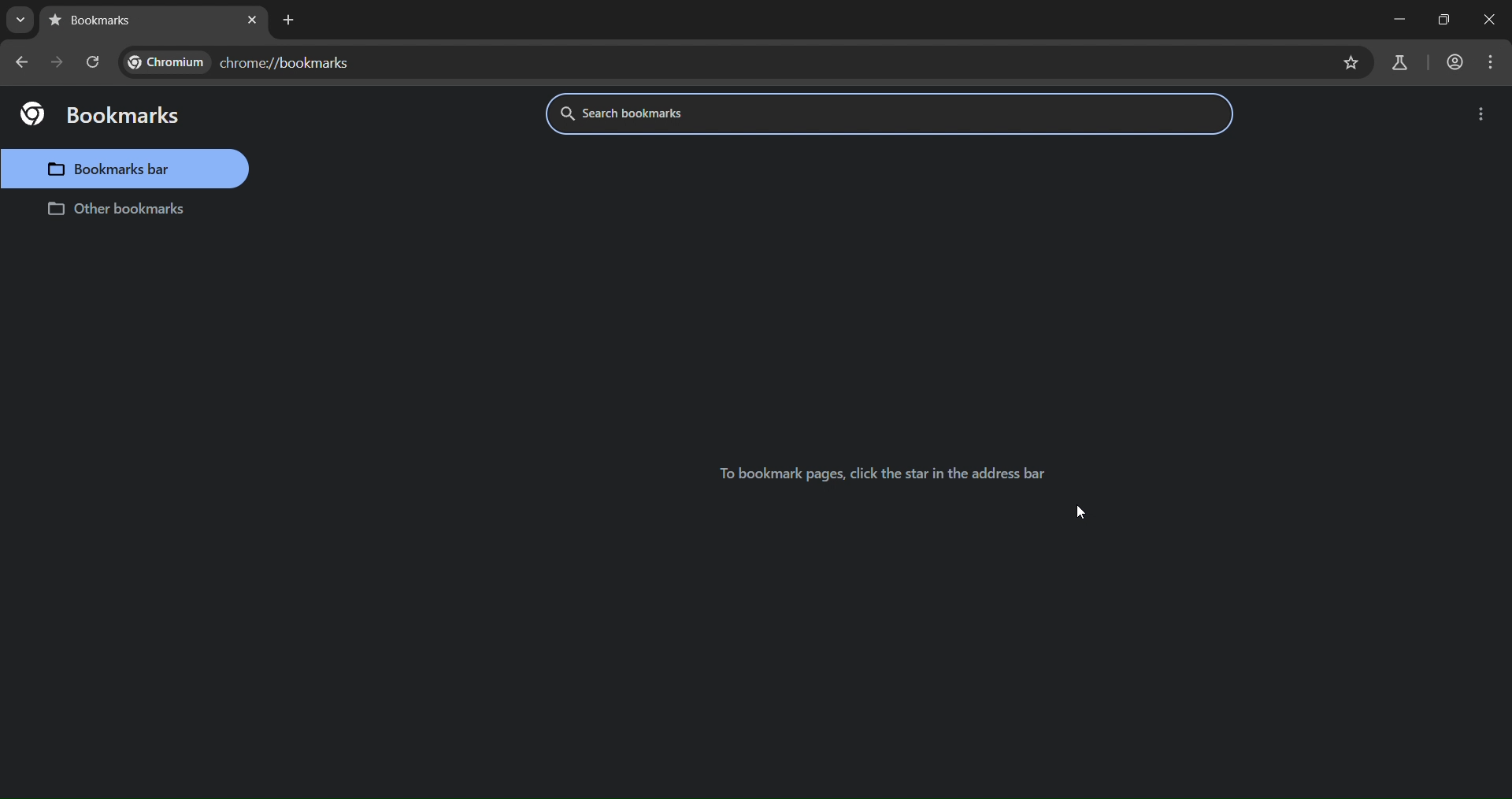 This screenshot has width=1512, height=799. What do you see at coordinates (23, 61) in the screenshot?
I see `go back one page` at bounding box center [23, 61].